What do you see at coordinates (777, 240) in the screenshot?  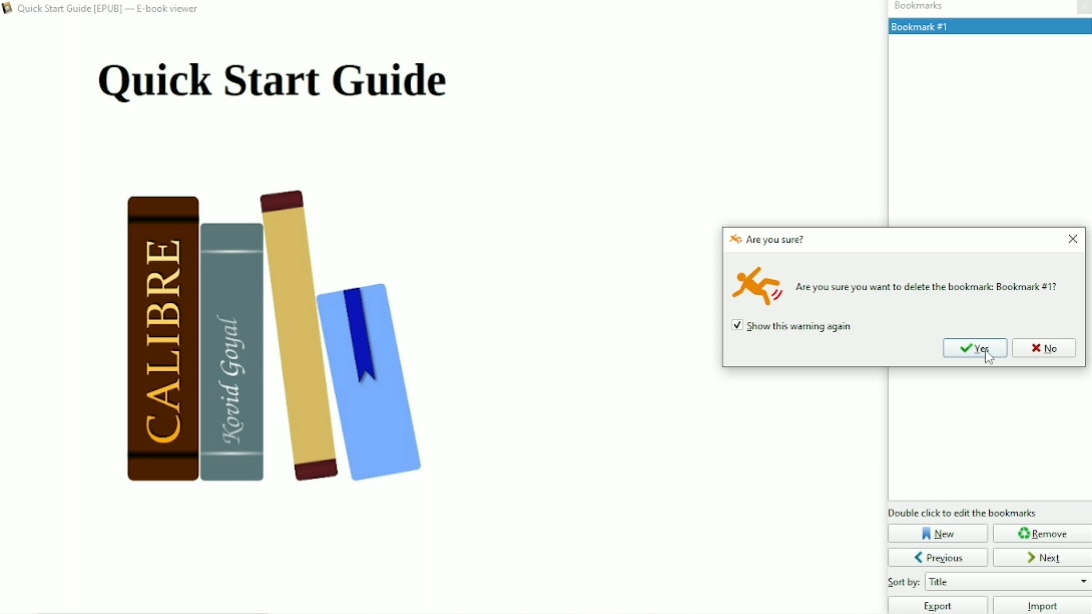 I see `Are you sure` at bounding box center [777, 240].